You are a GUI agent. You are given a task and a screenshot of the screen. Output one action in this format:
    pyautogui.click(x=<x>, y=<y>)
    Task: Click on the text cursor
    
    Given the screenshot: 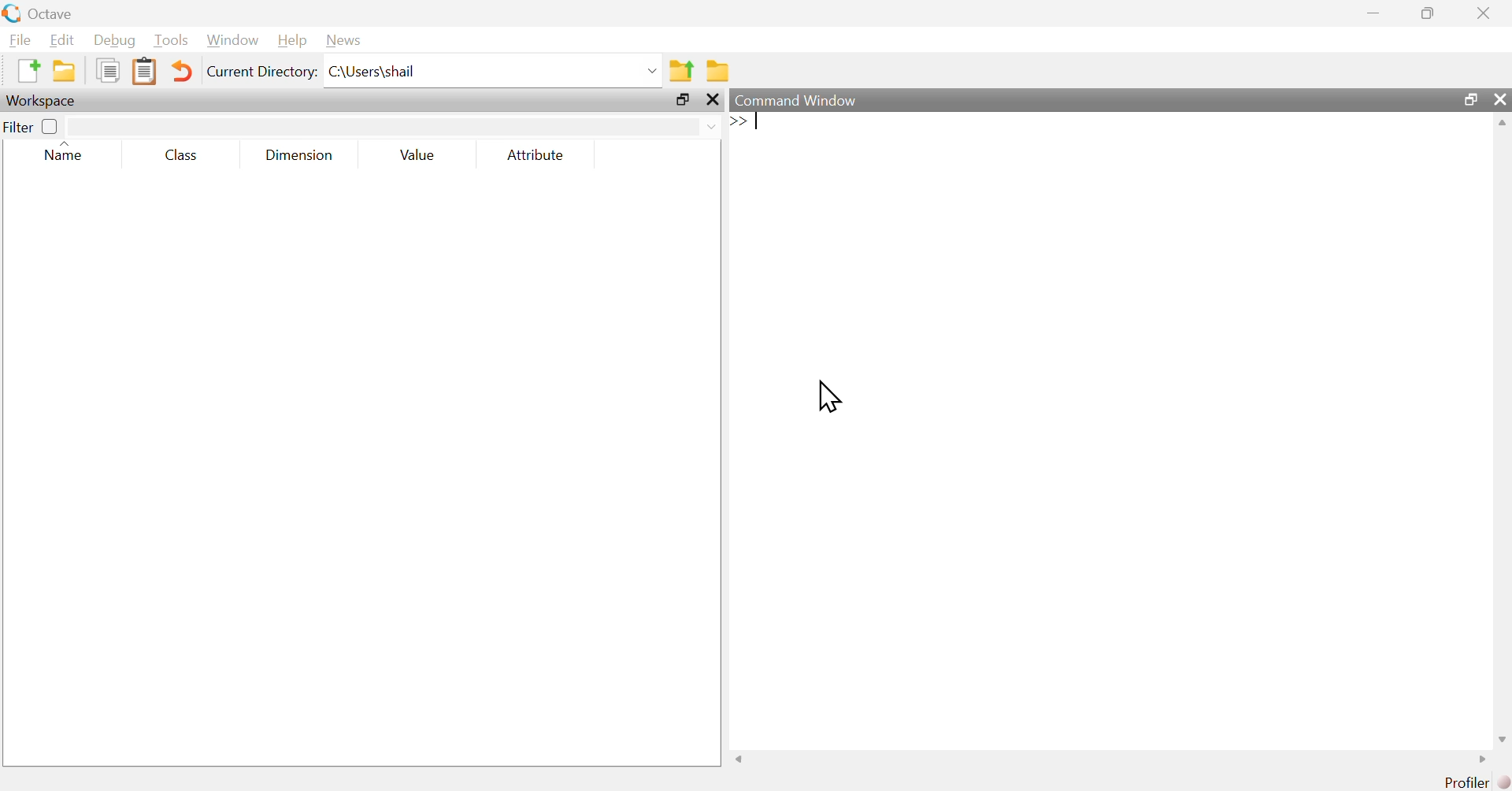 What is the action you would take?
    pyautogui.click(x=761, y=121)
    